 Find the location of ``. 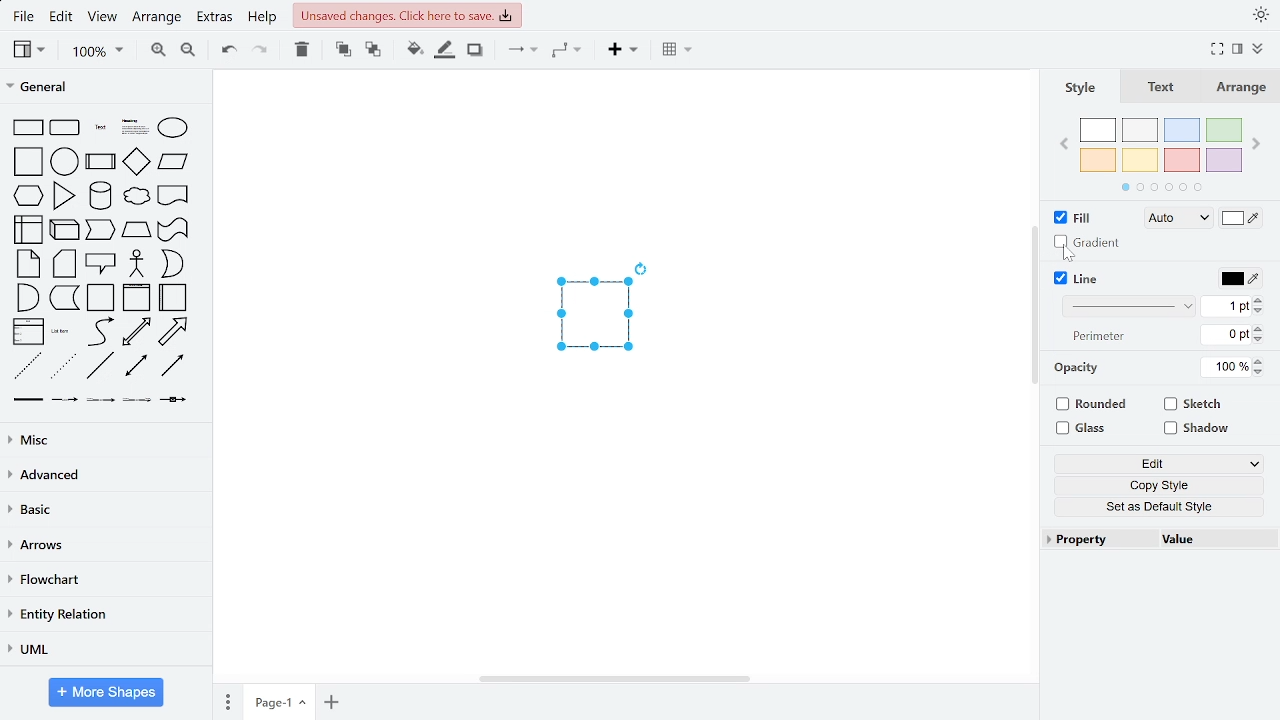

 is located at coordinates (63, 398).